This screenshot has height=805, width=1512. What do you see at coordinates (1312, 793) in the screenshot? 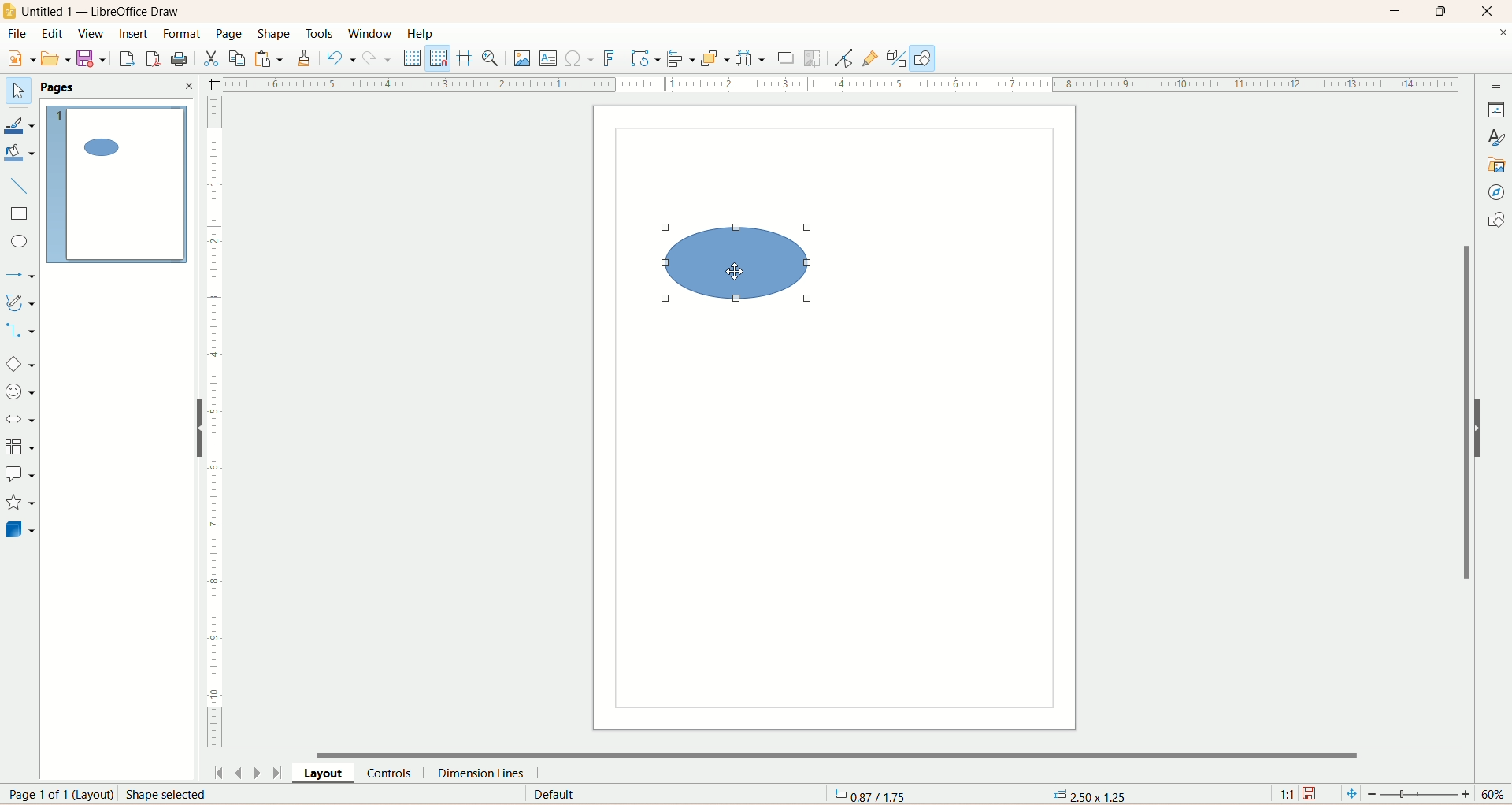
I see `save` at bounding box center [1312, 793].